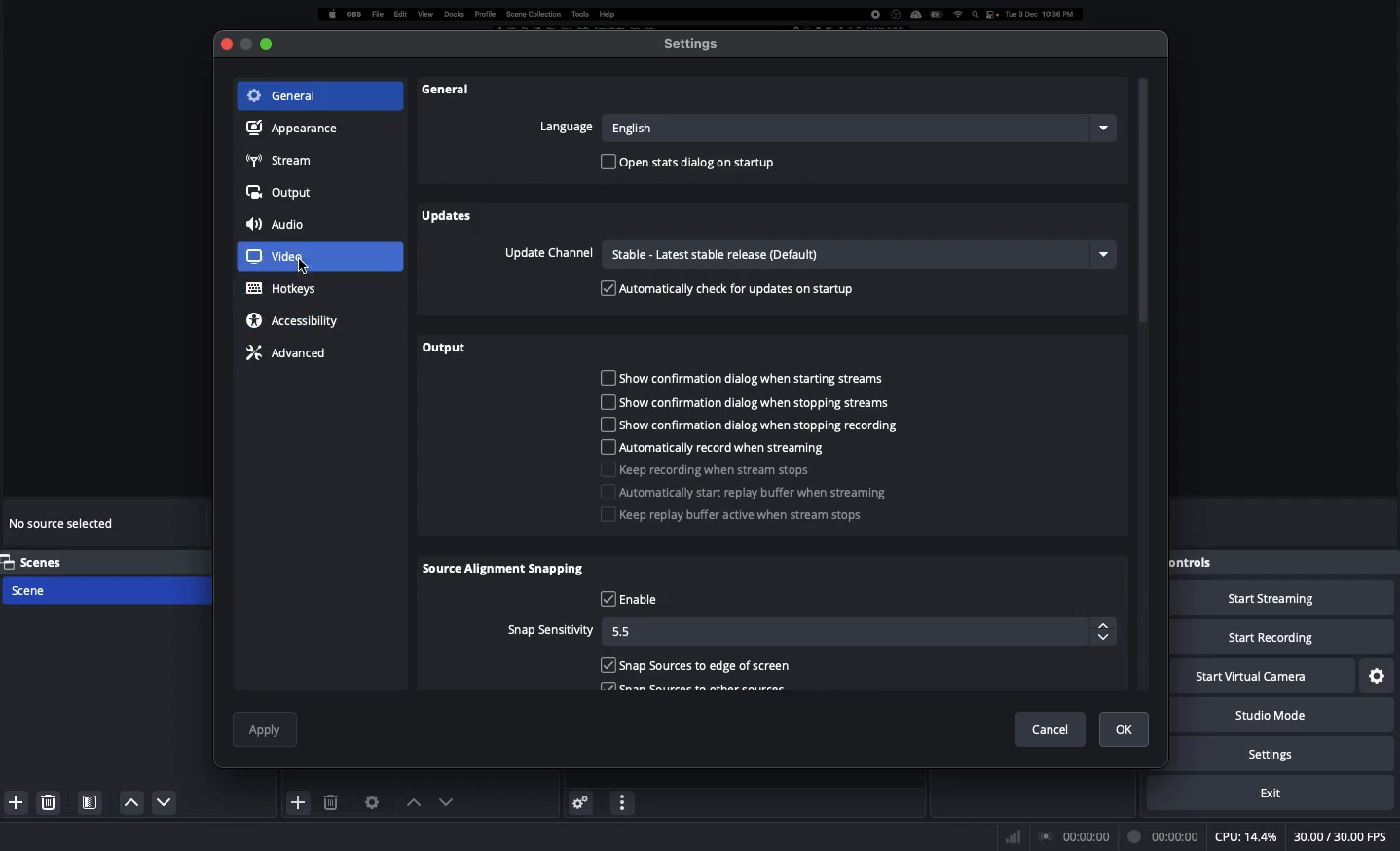  What do you see at coordinates (702, 666) in the screenshot?
I see `Snap sources to edge of screen` at bounding box center [702, 666].